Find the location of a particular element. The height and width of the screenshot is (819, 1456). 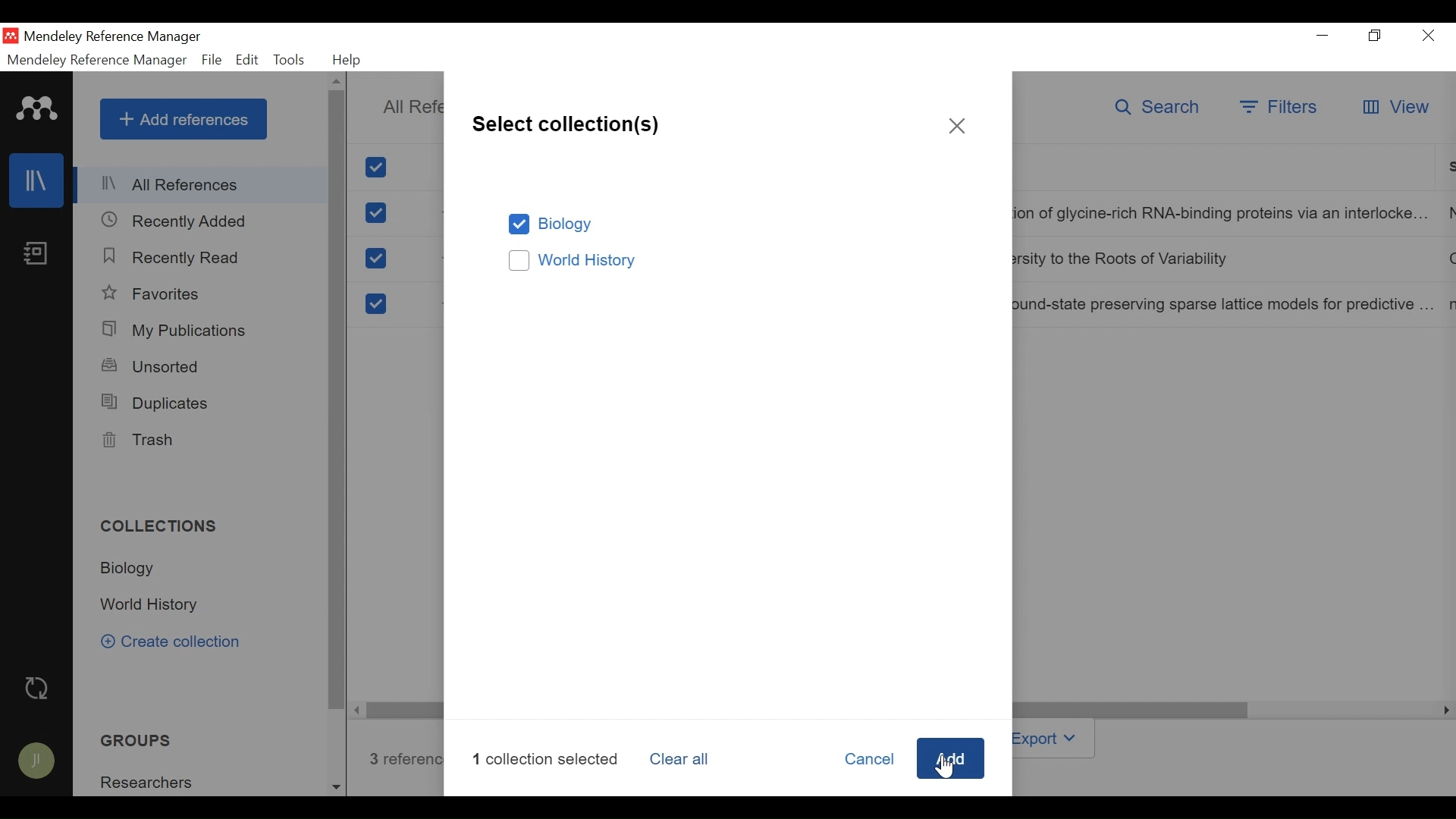

Cancel is located at coordinates (868, 760).